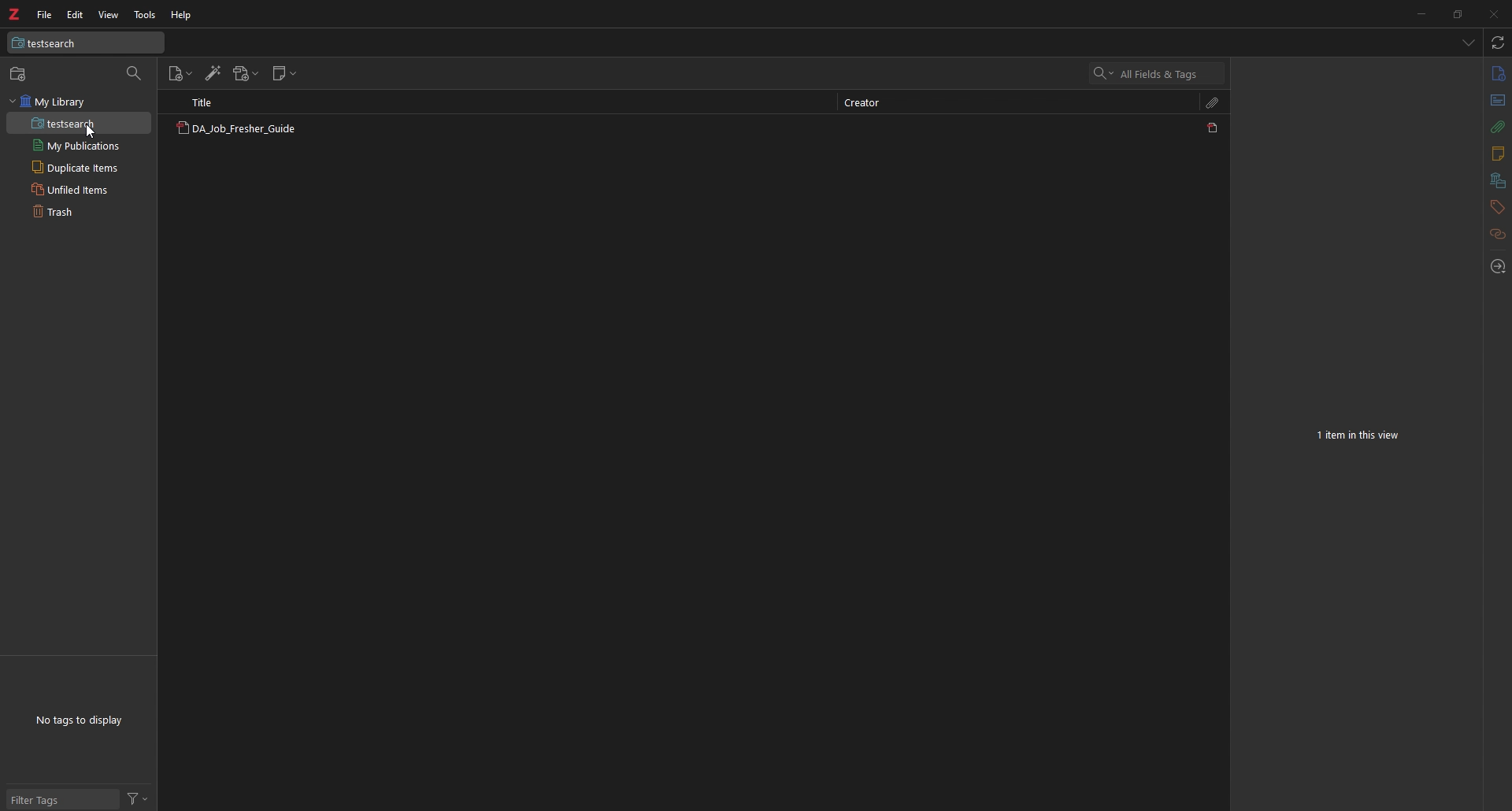  What do you see at coordinates (135, 74) in the screenshot?
I see `filter items` at bounding box center [135, 74].